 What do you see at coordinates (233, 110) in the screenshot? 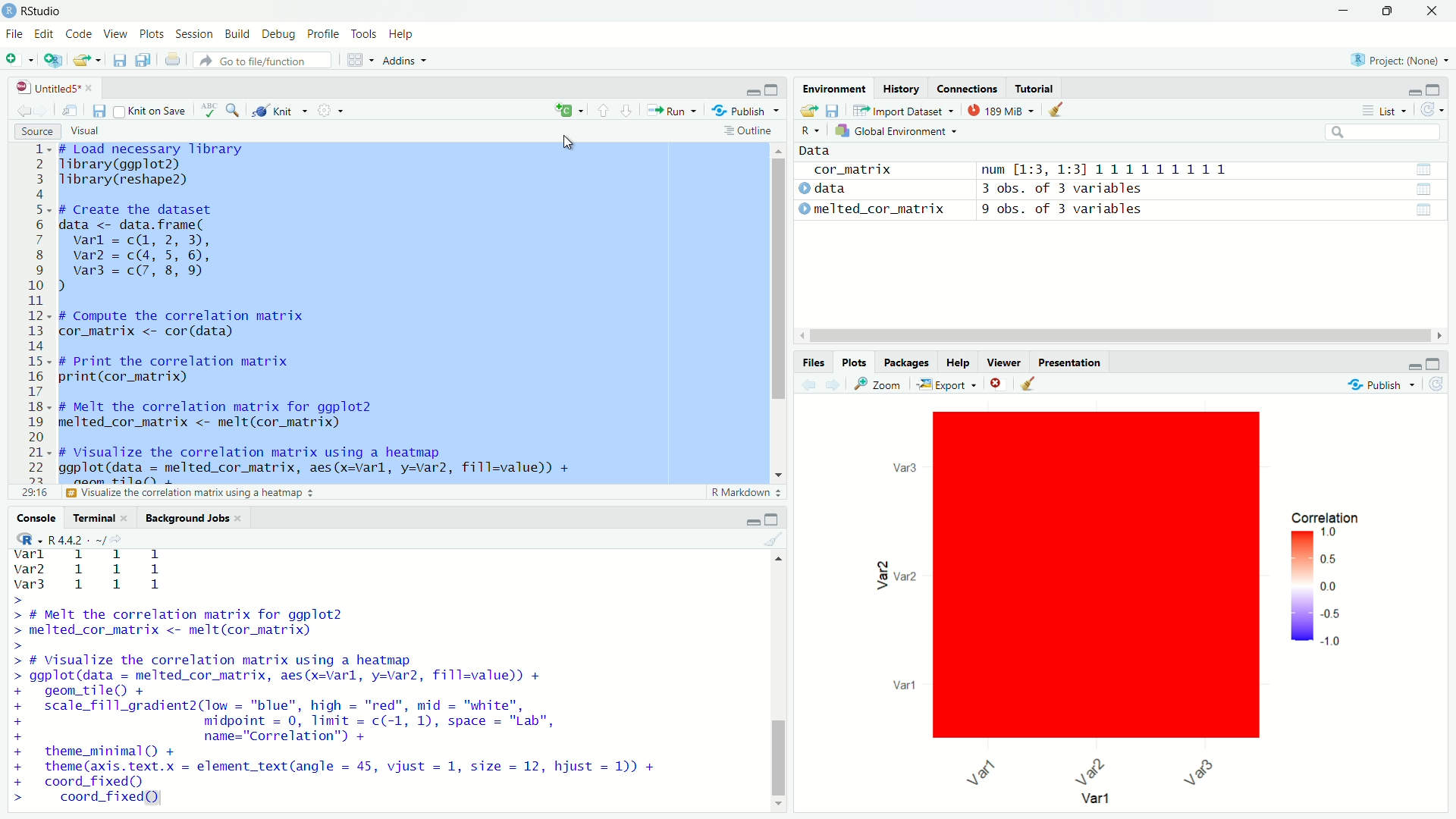
I see `find and replace` at bounding box center [233, 110].